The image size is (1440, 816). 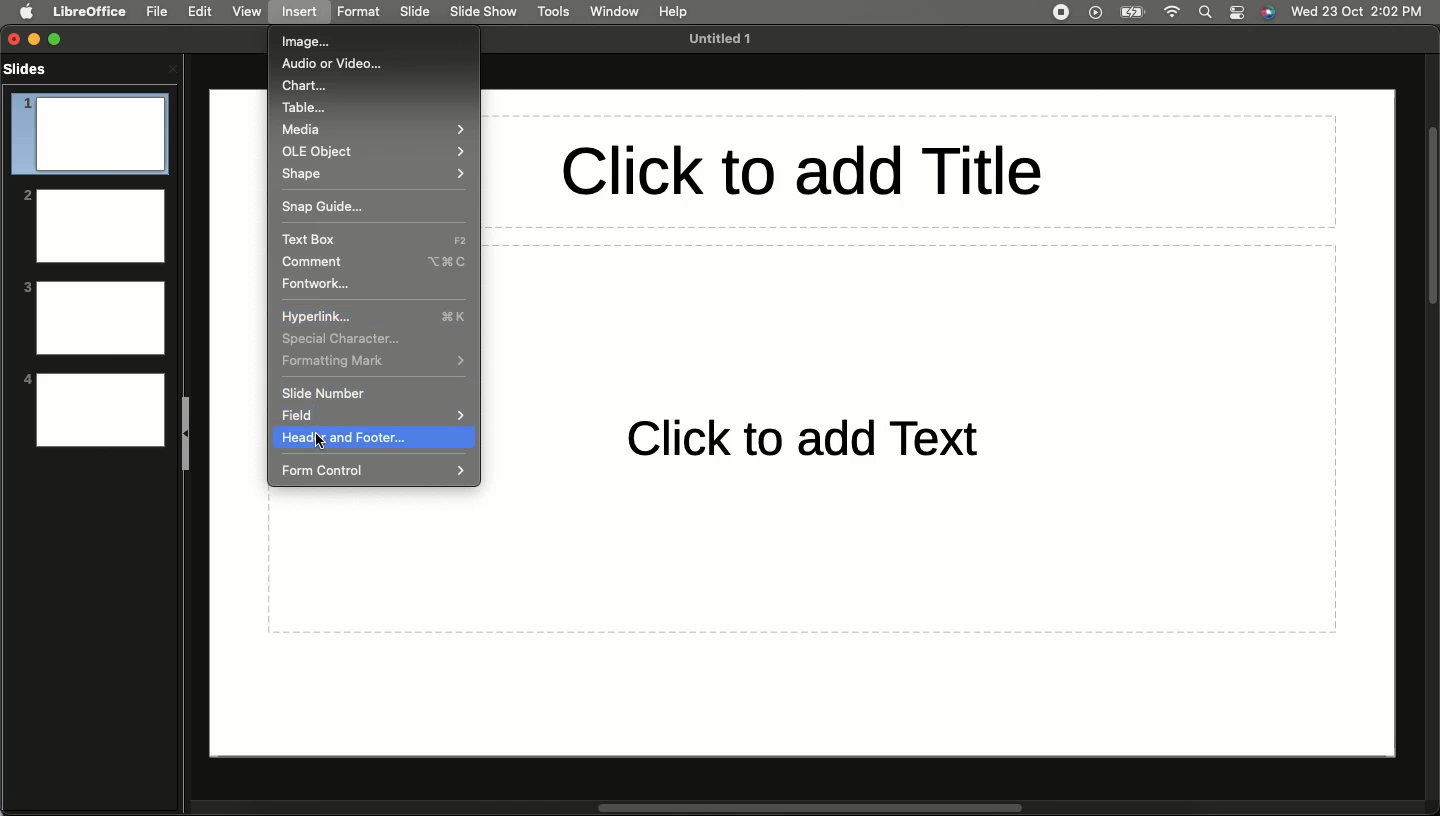 I want to click on Insert selecte, so click(x=304, y=13).